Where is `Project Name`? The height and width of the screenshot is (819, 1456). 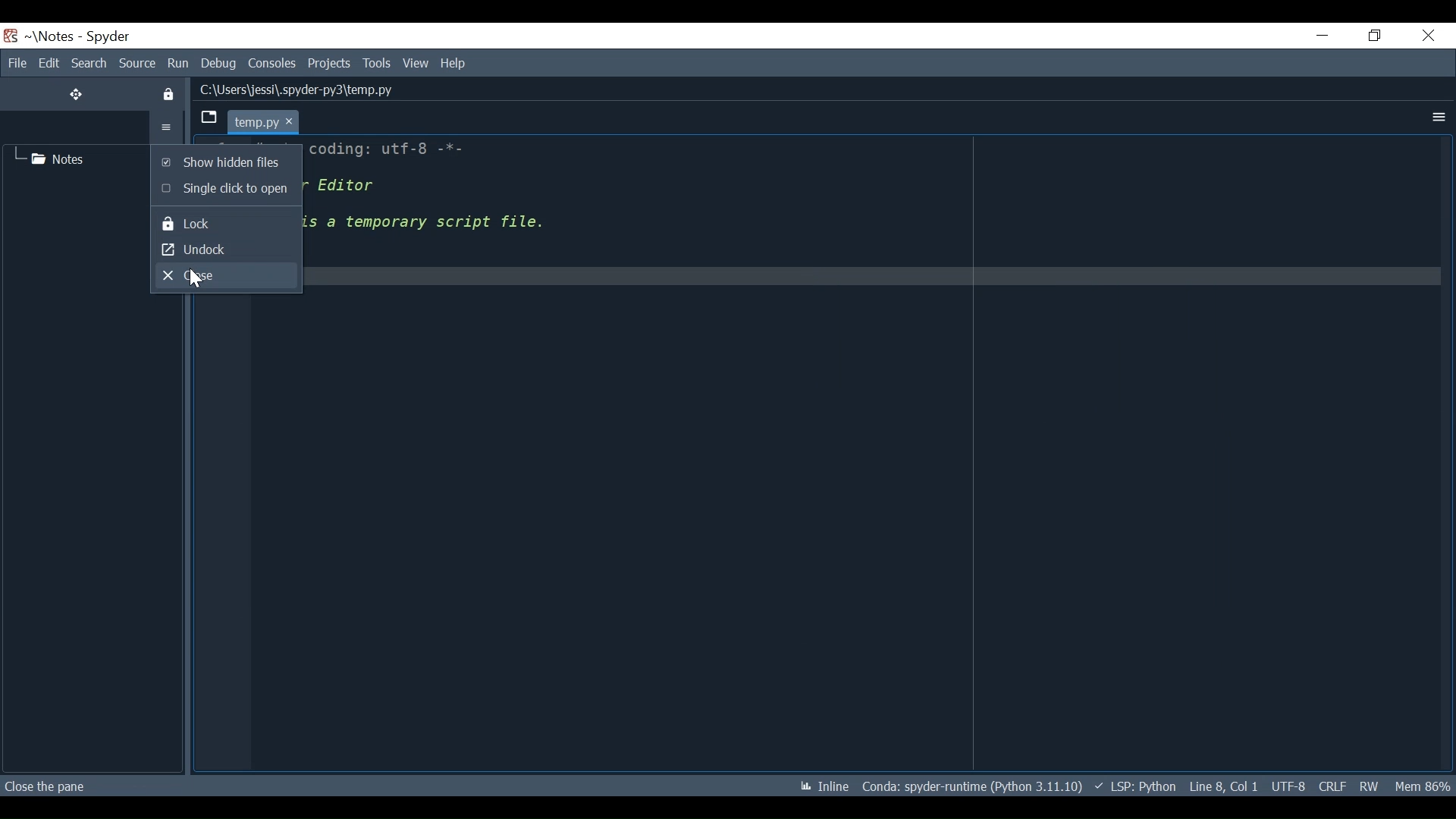 Project Name is located at coordinates (51, 36).